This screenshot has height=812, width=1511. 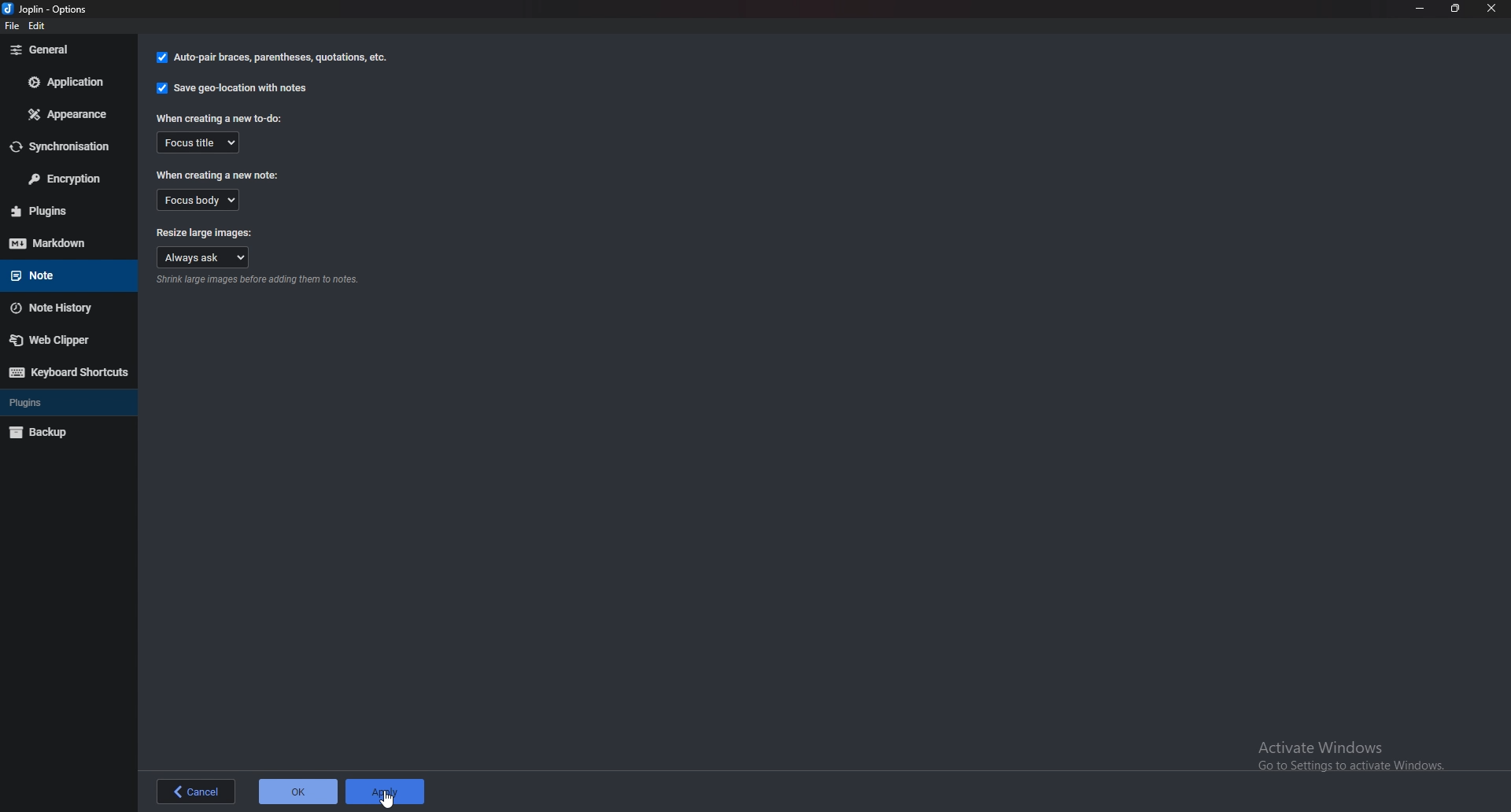 What do you see at coordinates (205, 256) in the screenshot?
I see `always ask` at bounding box center [205, 256].